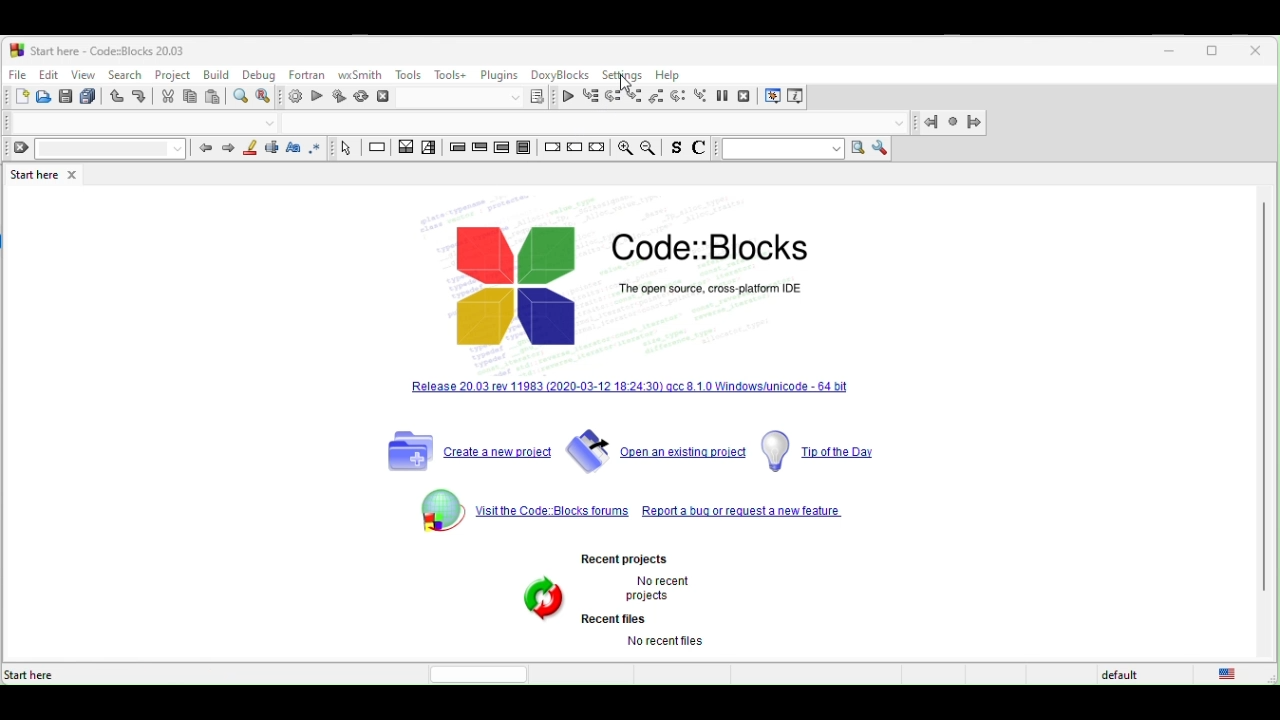  What do you see at coordinates (478, 99) in the screenshot?
I see `show the select target dialogue` at bounding box center [478, 99].